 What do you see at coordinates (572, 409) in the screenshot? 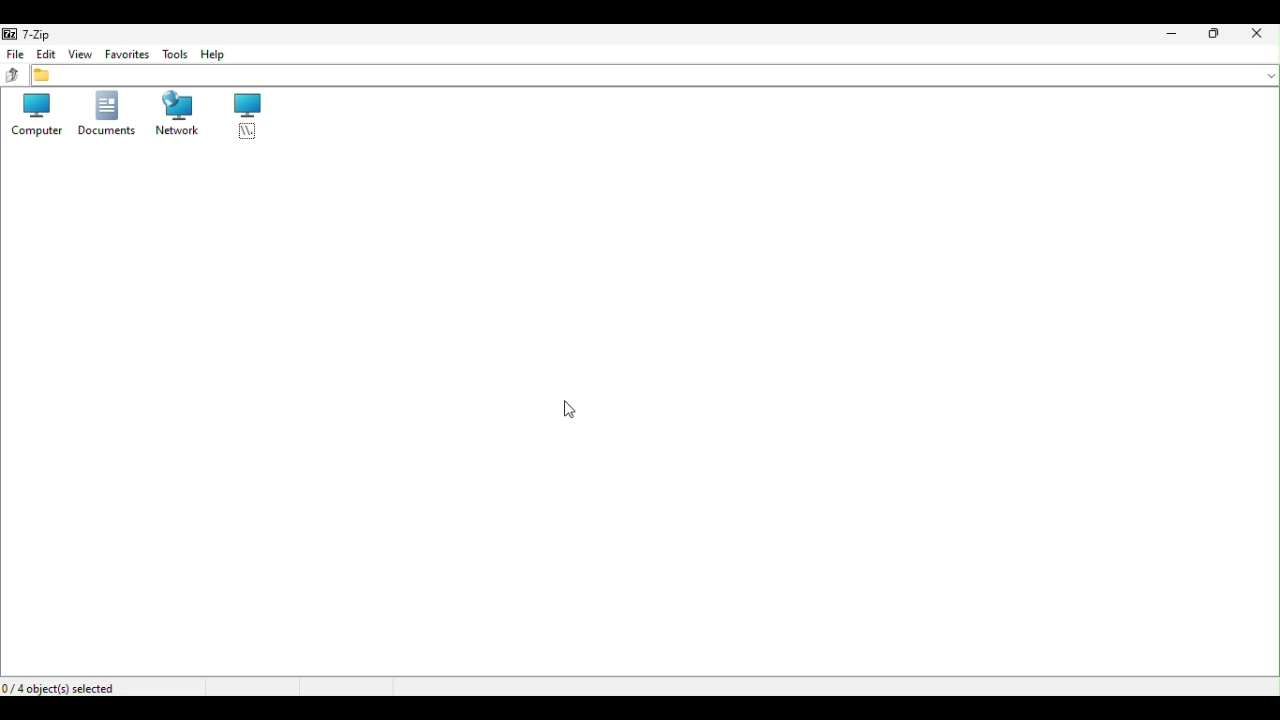
I see `Mouse` at bounding box center [572, 409].